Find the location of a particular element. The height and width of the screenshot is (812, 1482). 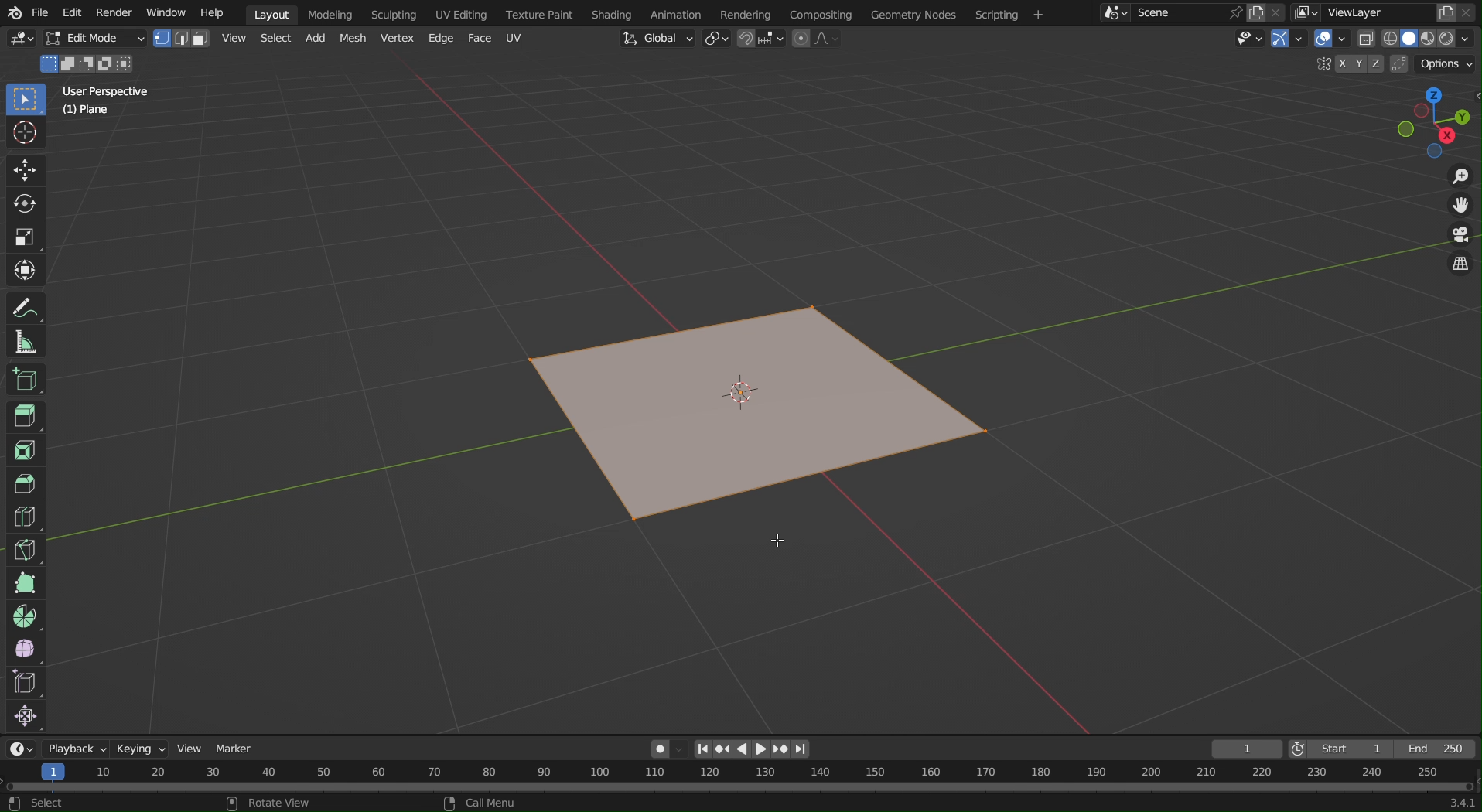

File is located at coordinates (40, 12).